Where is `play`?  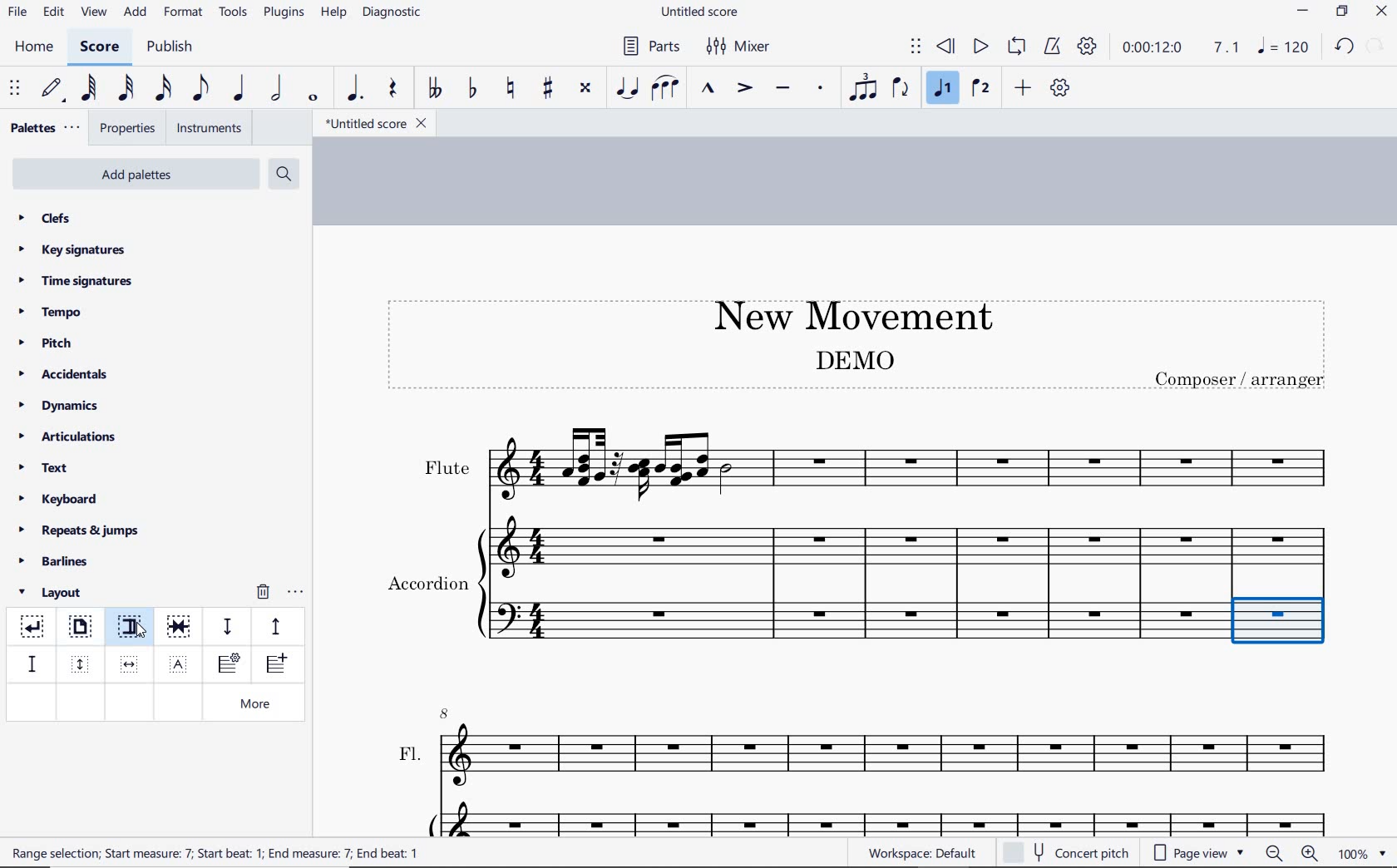 play is located at coordinates (979, 48).